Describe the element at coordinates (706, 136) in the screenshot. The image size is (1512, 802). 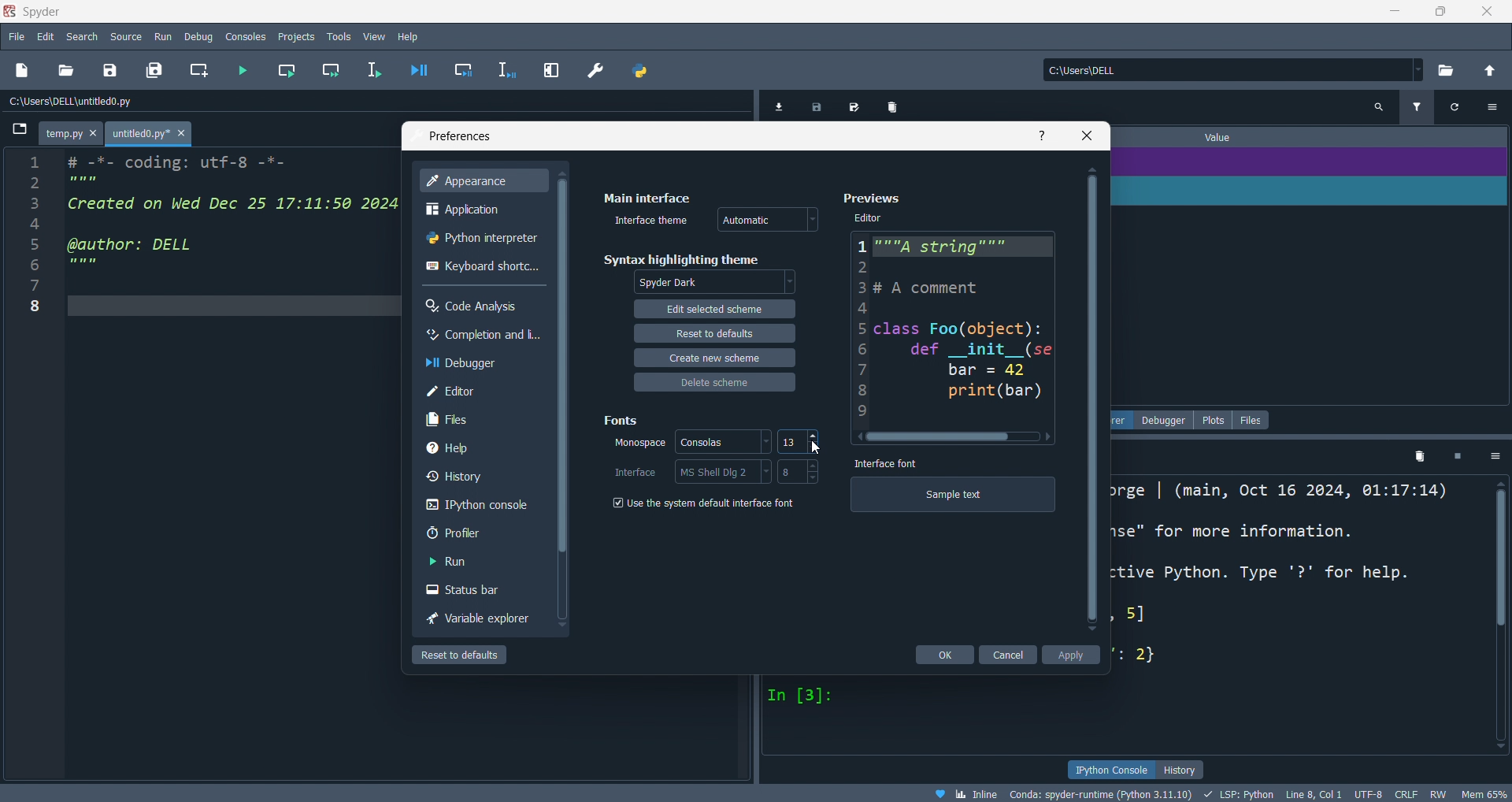
I see `preference tab title` at that location.